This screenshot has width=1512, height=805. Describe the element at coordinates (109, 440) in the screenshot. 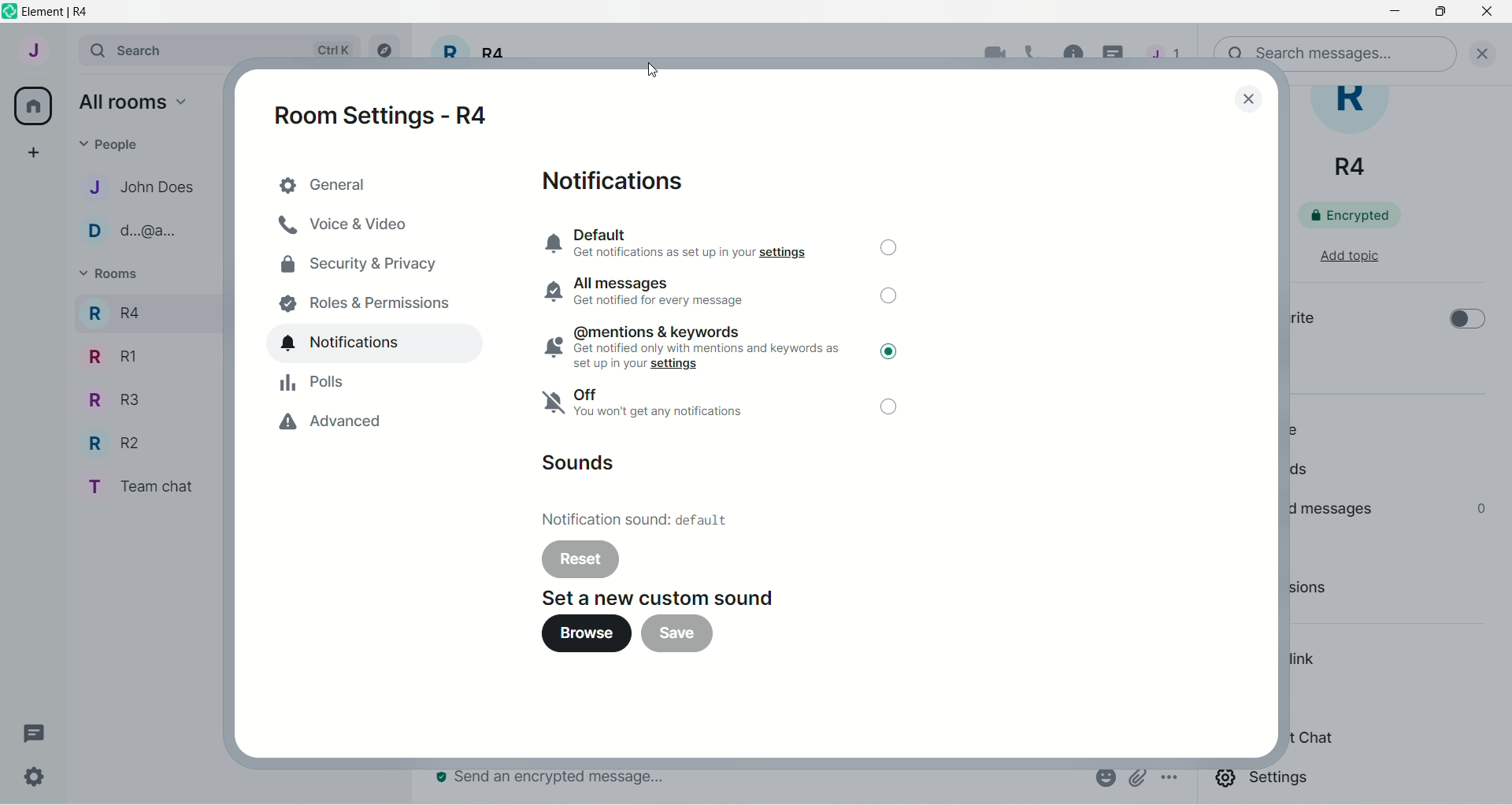

I see `R R2` at that location.